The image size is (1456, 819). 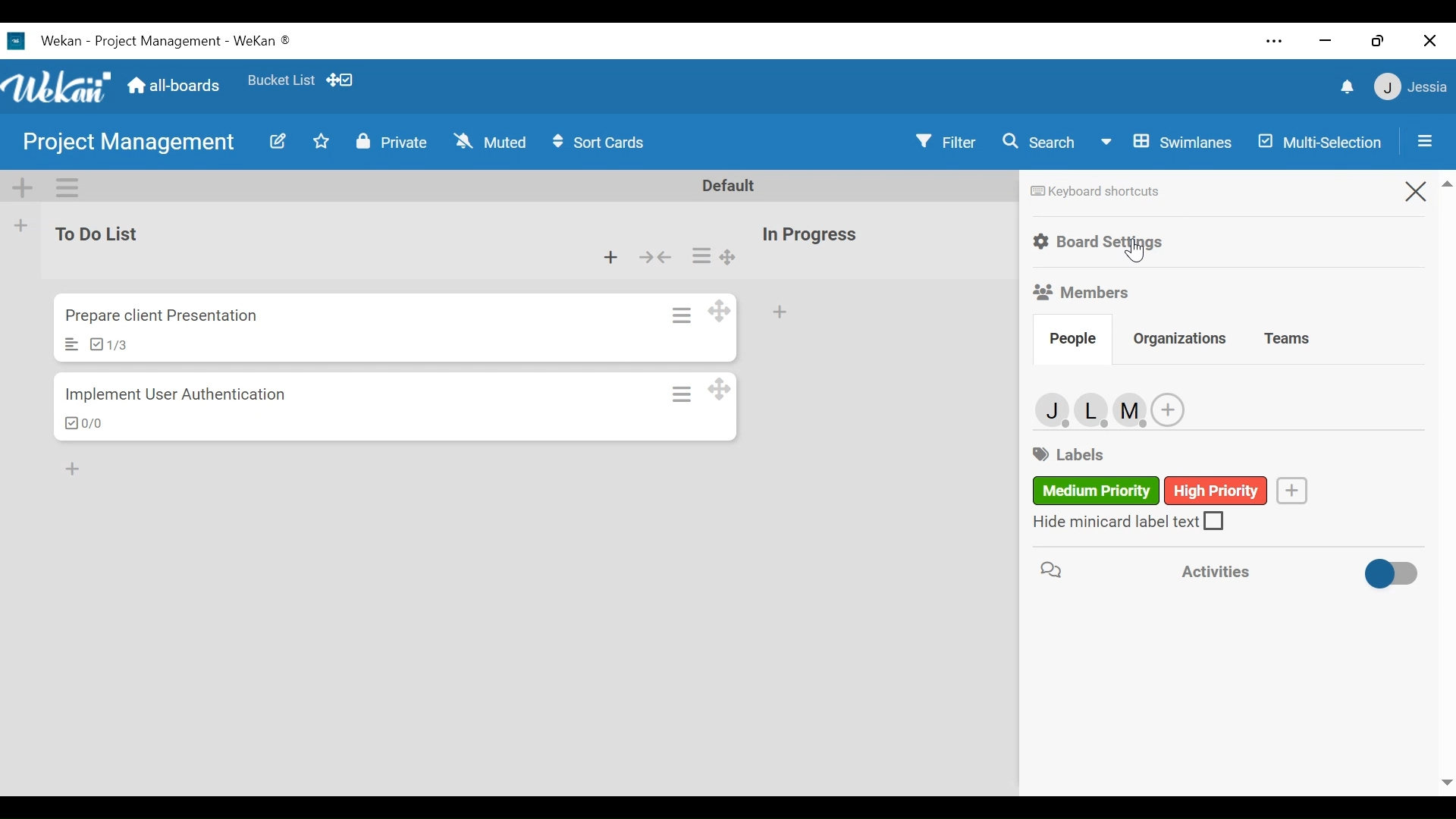 I want to click on restore, so click(x=1379, y=41).